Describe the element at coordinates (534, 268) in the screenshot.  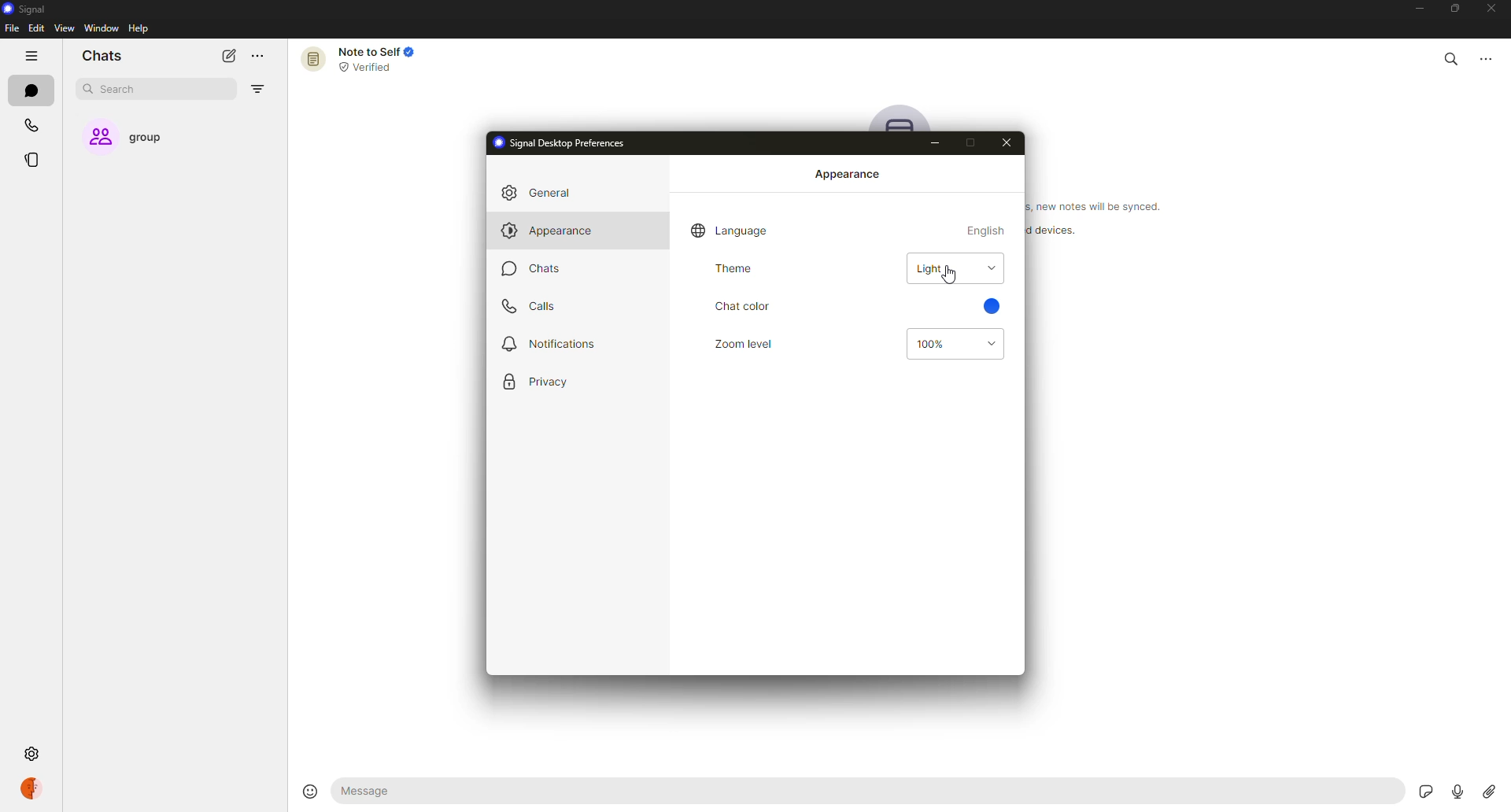
I see `chats` at that location.